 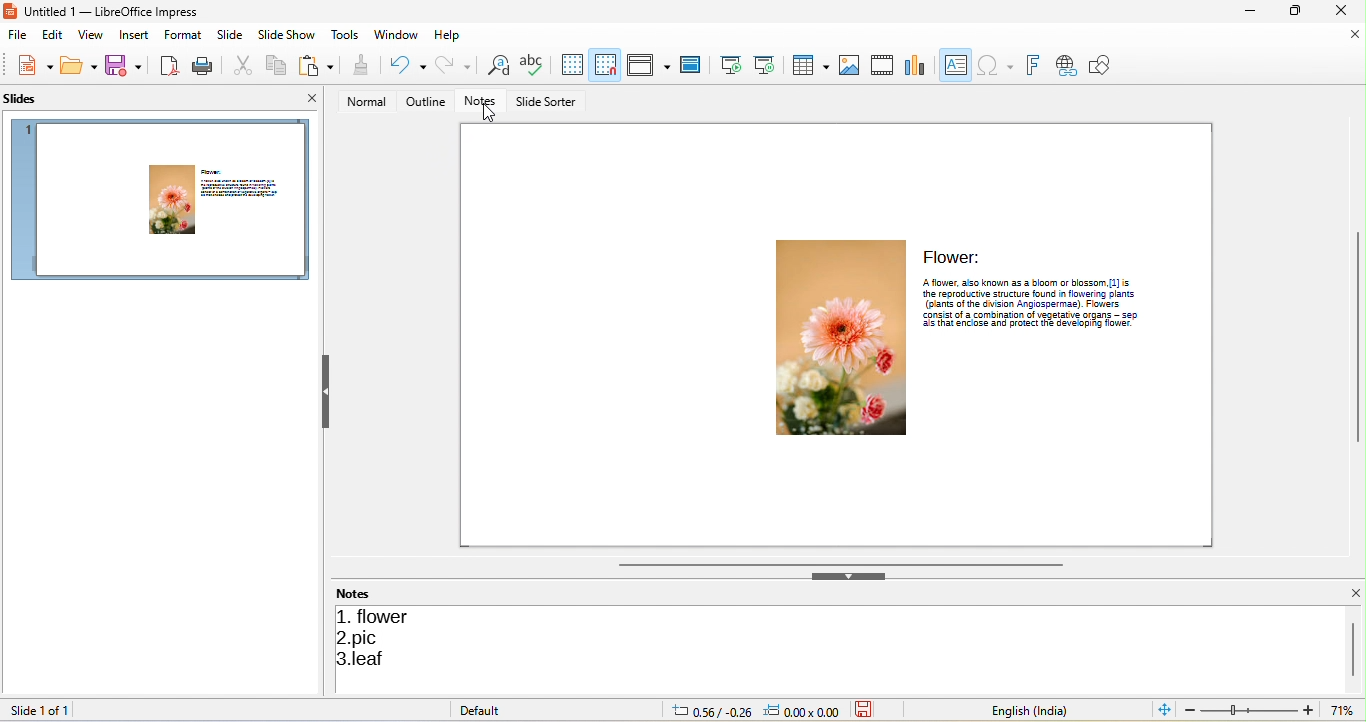 What do you see at coordinates (47, 35) in the screenshot?
I see `edit` at bounding box center [47, 35].